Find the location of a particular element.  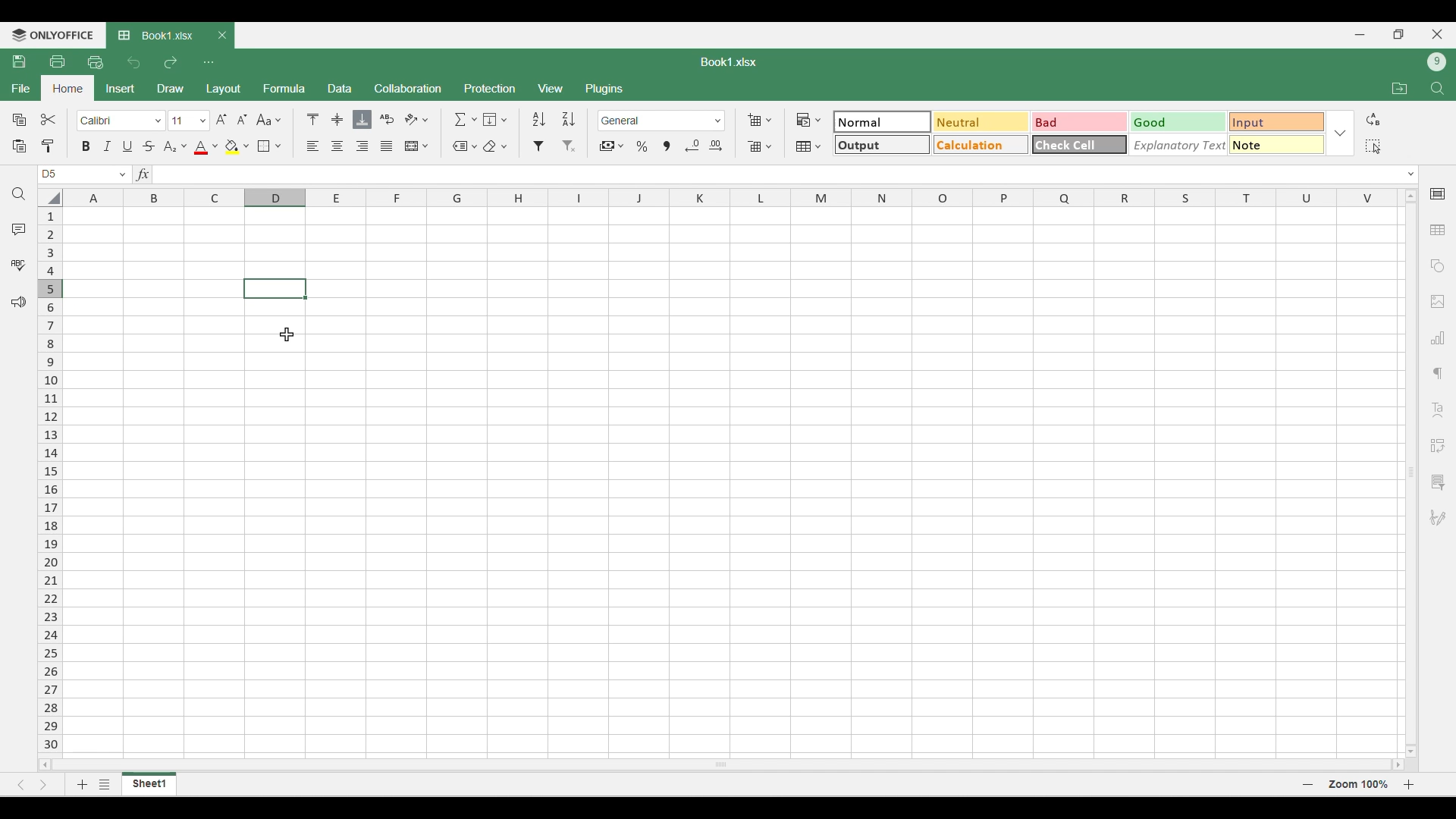

Existing rows and columns is located at coordinates (731, 482).